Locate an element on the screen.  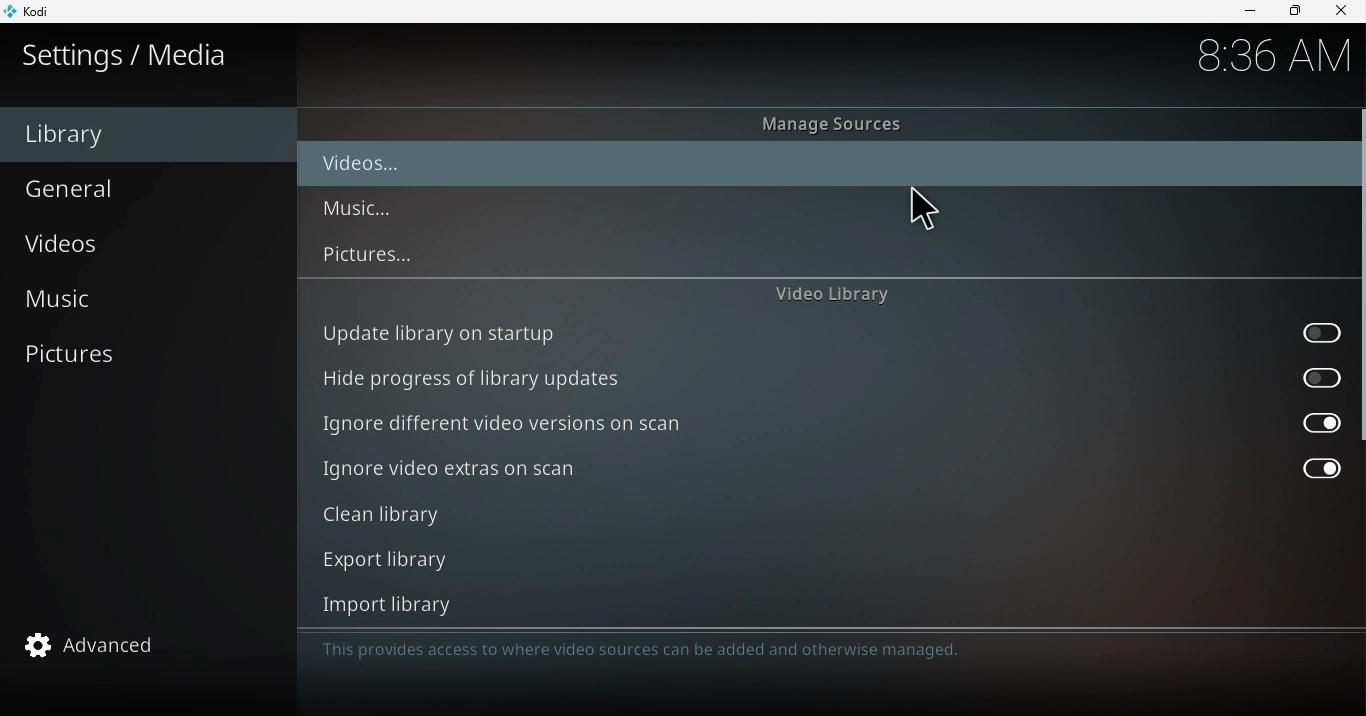
Import library is located at coordinates (820, 604).